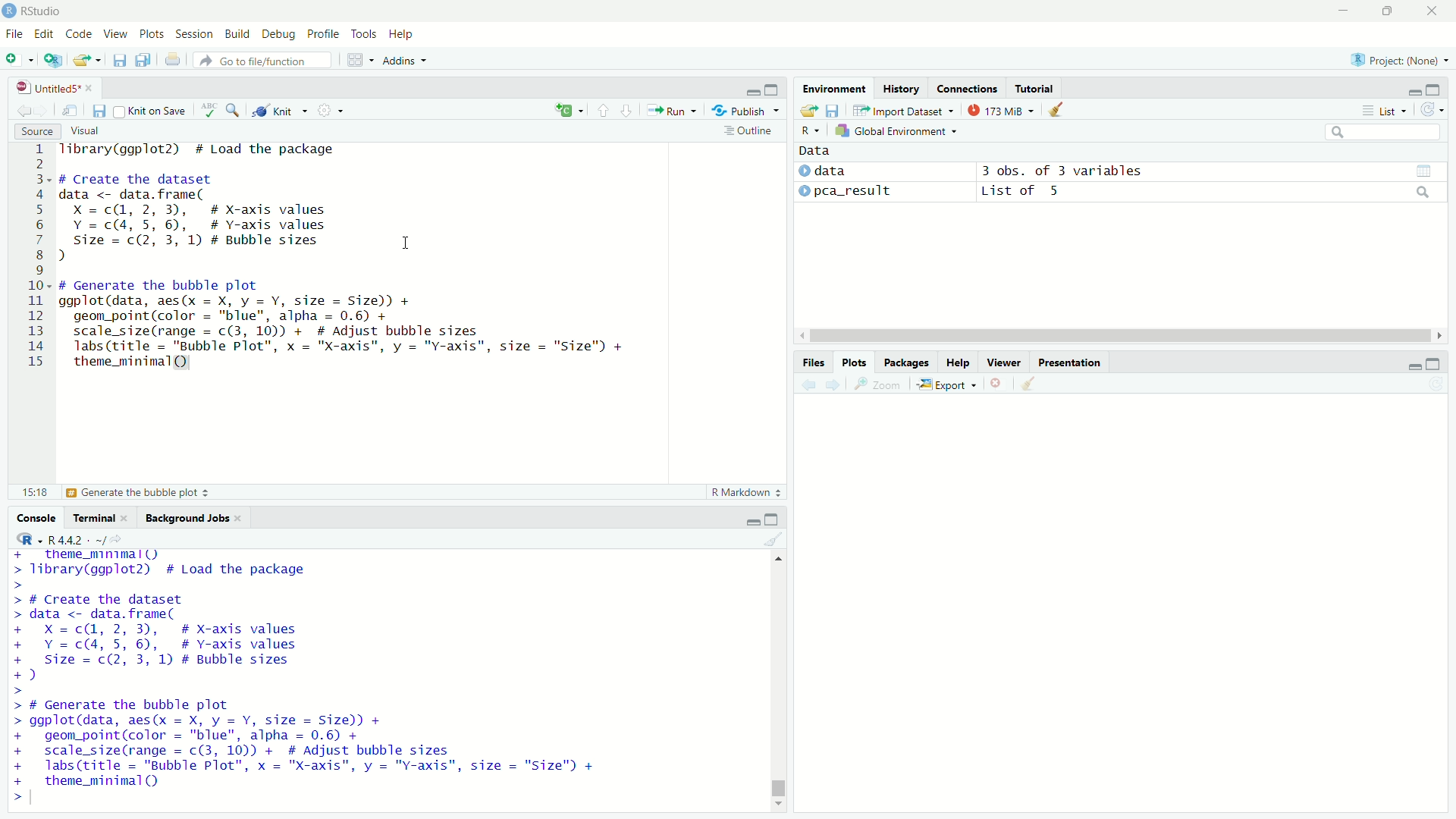  What do you see at coordinates (325, 35) in the screenshot?
I see `profile` at bounding box center [325, 35].